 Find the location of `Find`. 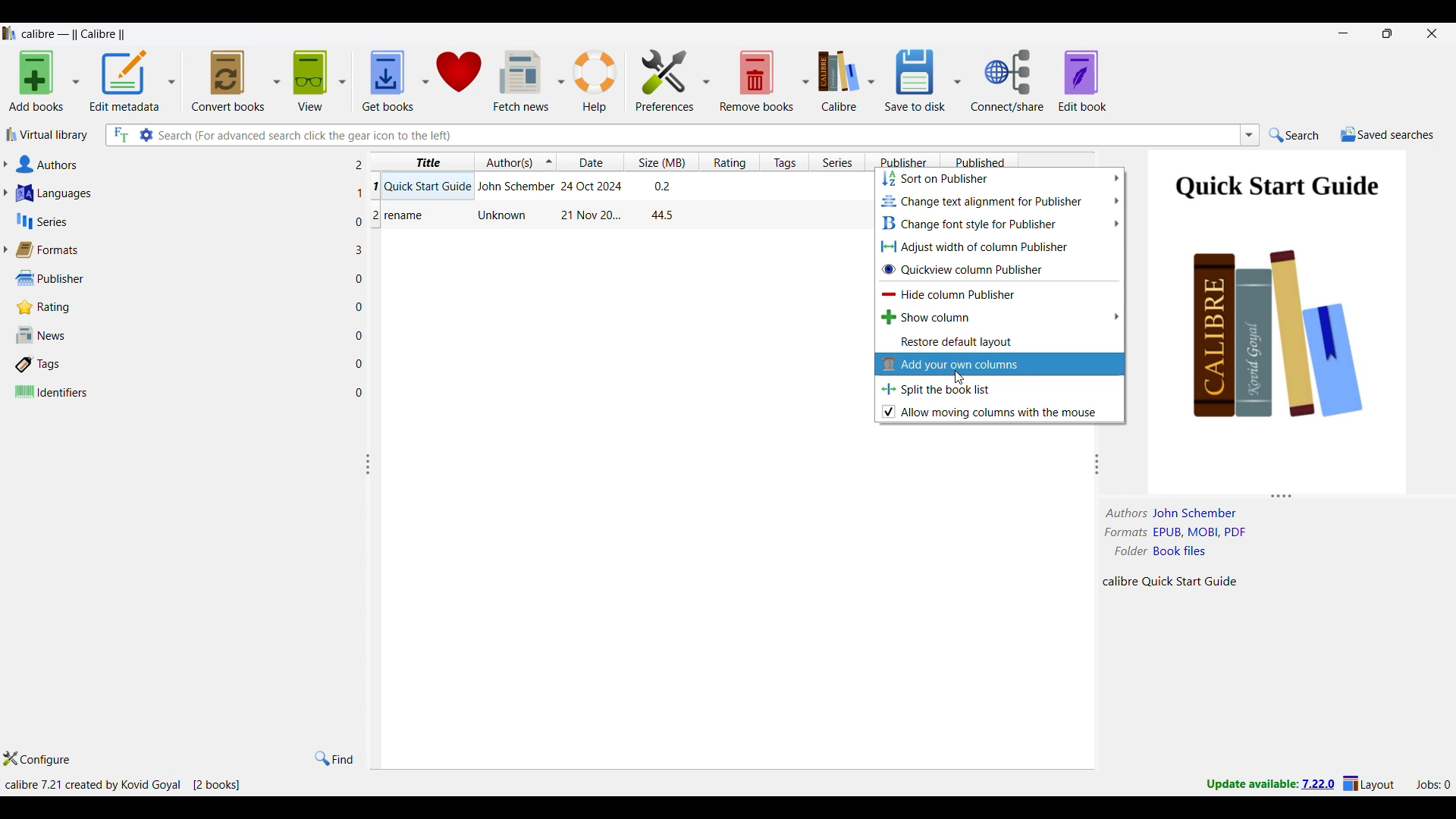

Find is located at coordinates (334, 758).